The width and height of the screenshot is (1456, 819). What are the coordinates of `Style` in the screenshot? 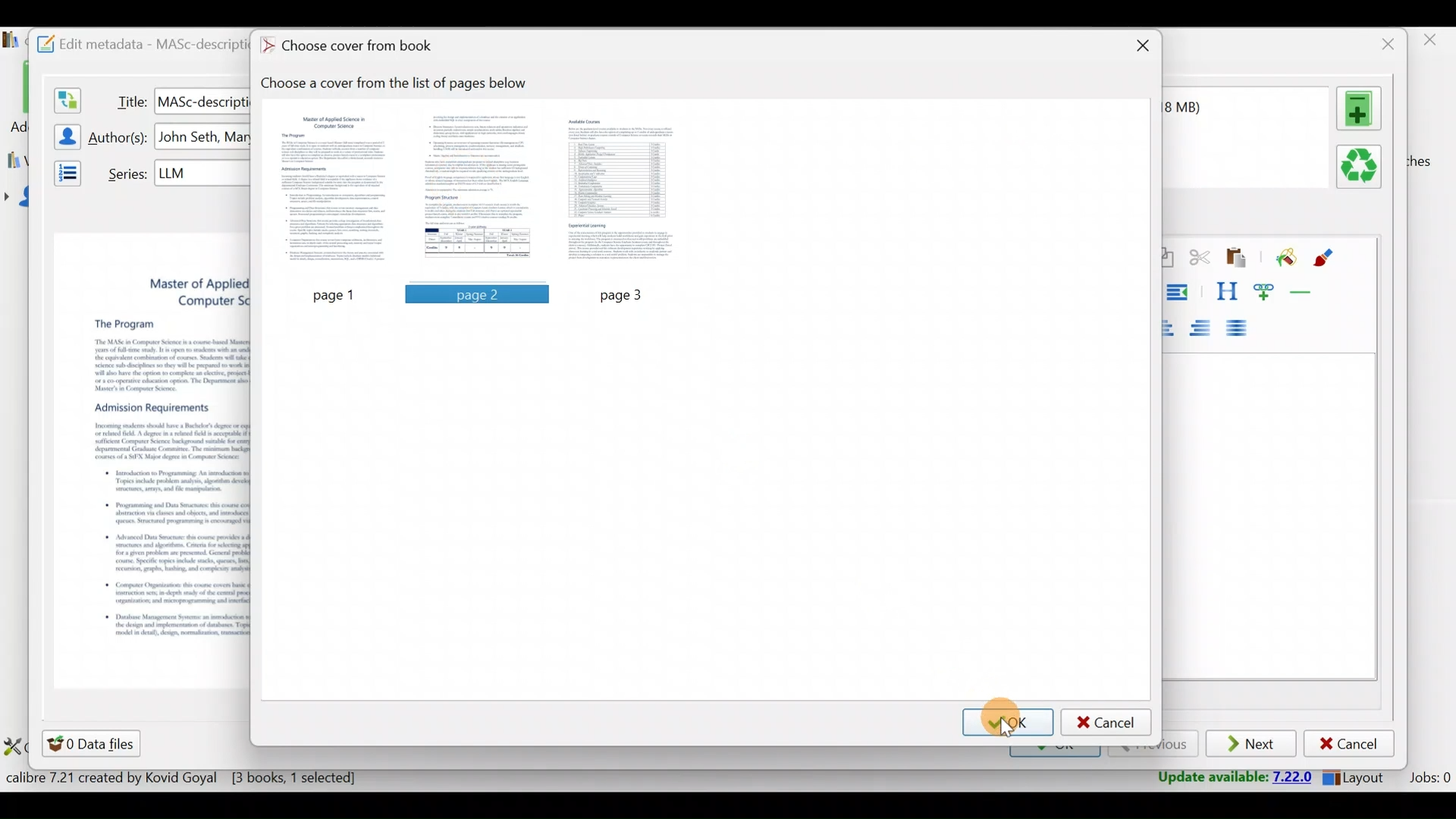 It's located at (1226, 291).